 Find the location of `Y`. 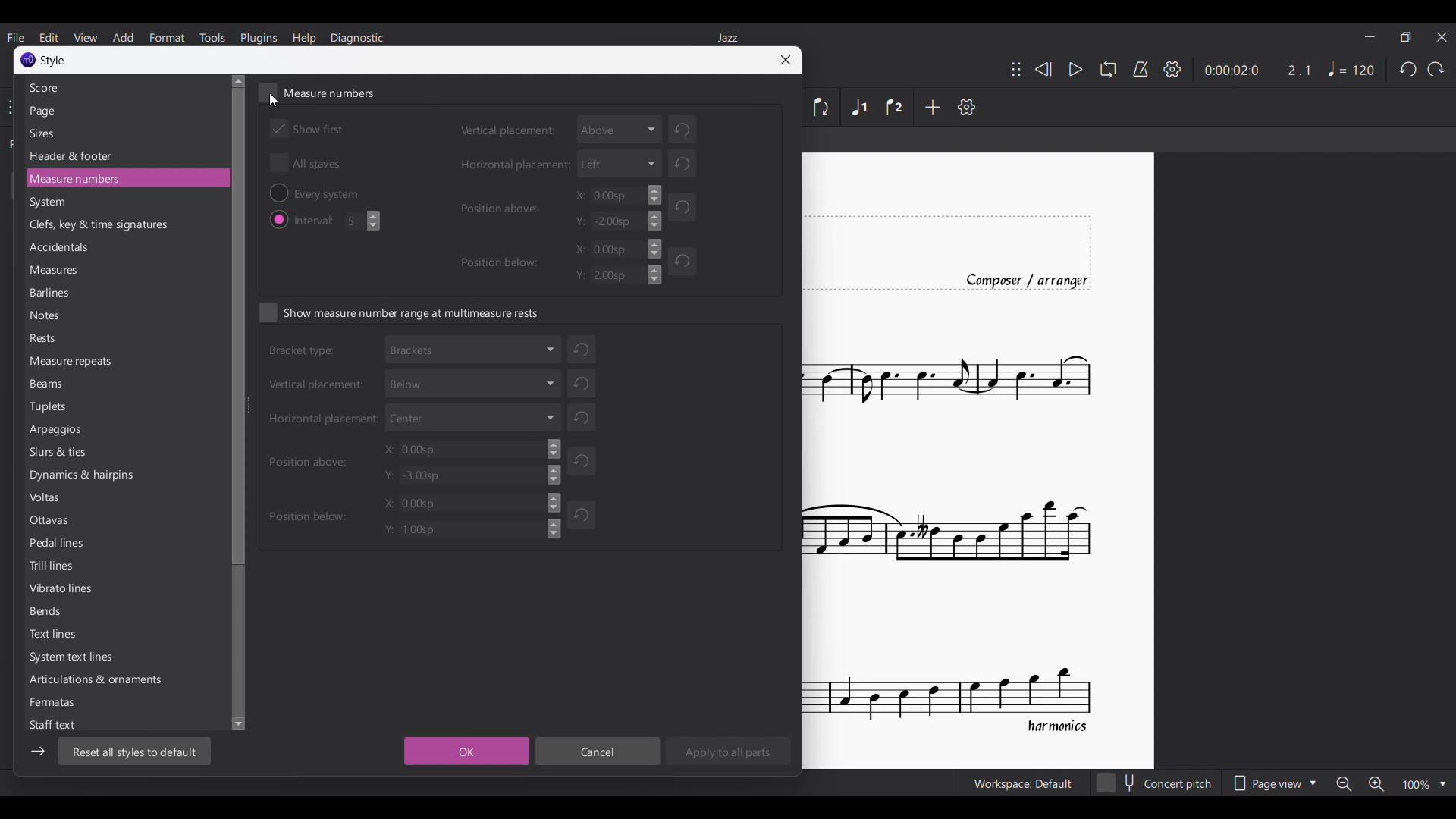

Y is located at coordinates (461, 529).